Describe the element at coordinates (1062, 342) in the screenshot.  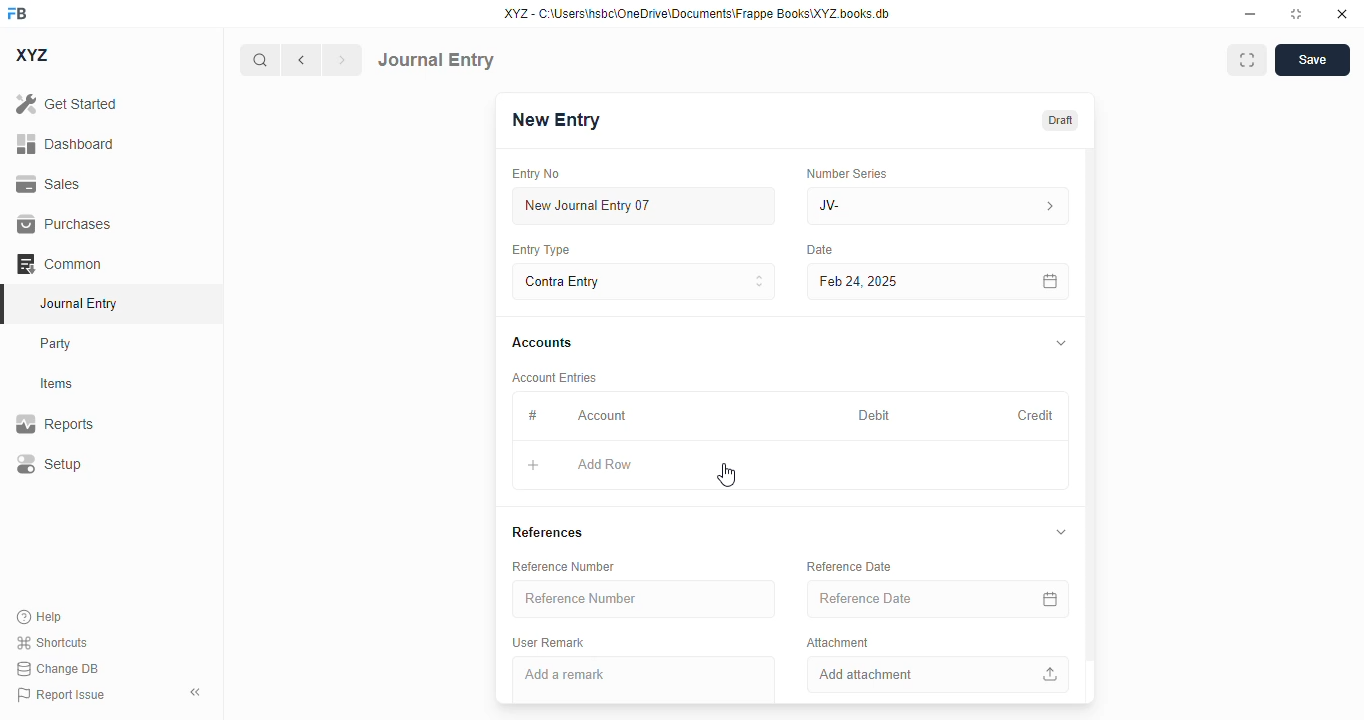
I see `toggle expand/collapse` at that location.